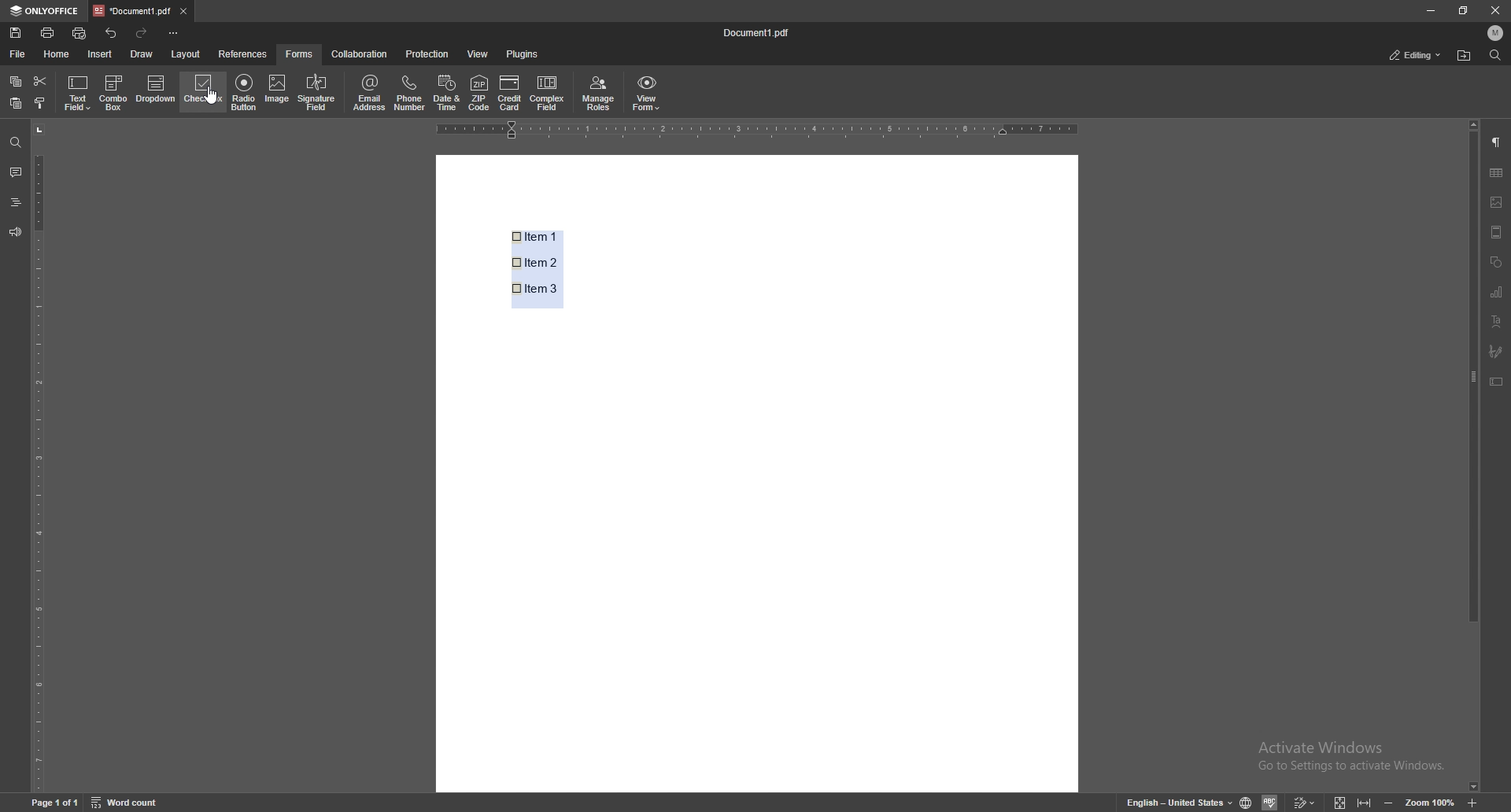 The image size is (1511, 812). Describe the element at coordinates (1340, 801) in the screenshot. I see `fit to screen` at that location.